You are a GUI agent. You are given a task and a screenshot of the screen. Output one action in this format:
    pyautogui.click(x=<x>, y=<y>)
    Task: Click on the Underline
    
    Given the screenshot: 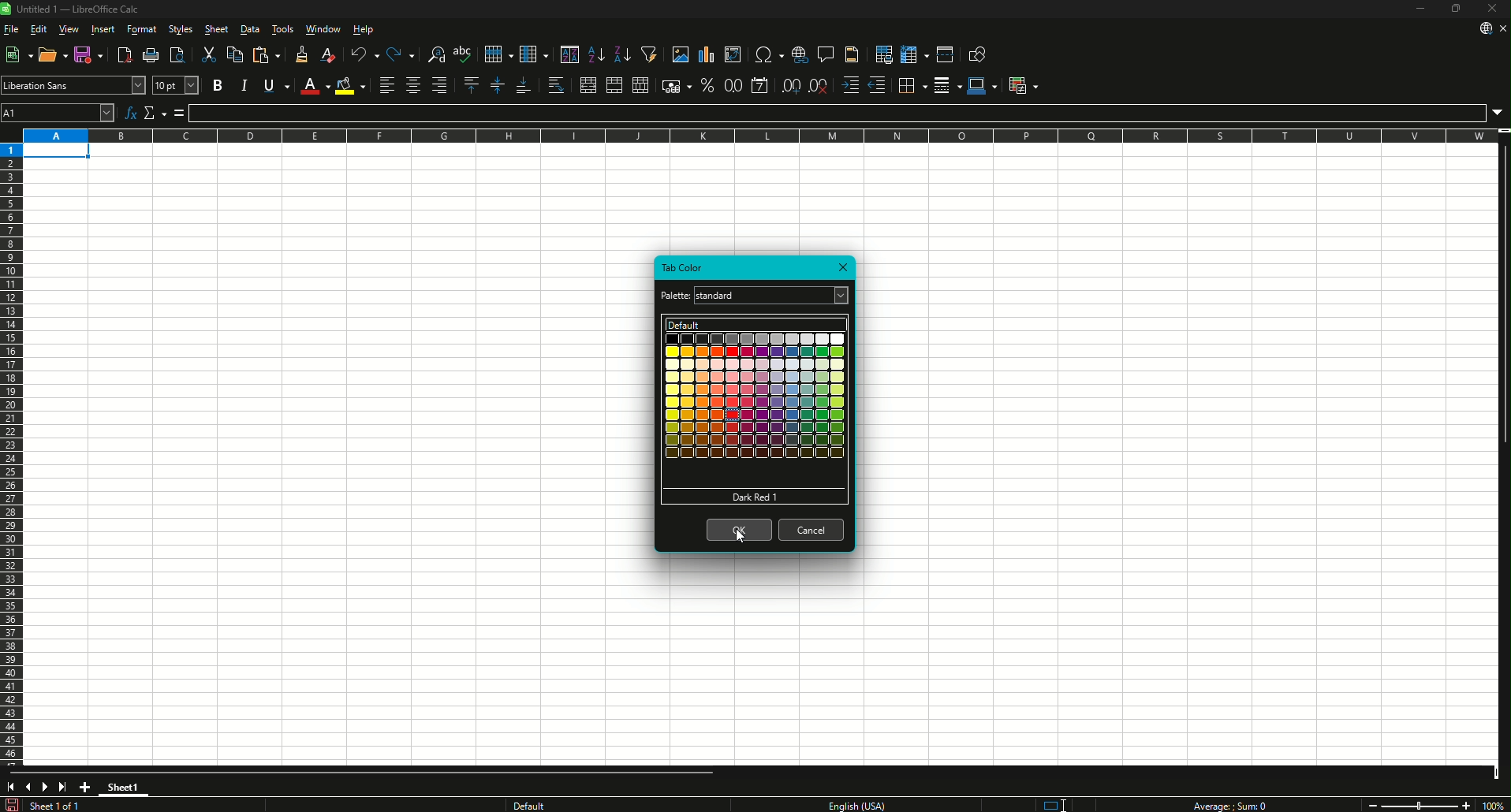 What is the action you would take?
    pyautogui.click(x=277, y=85)
    